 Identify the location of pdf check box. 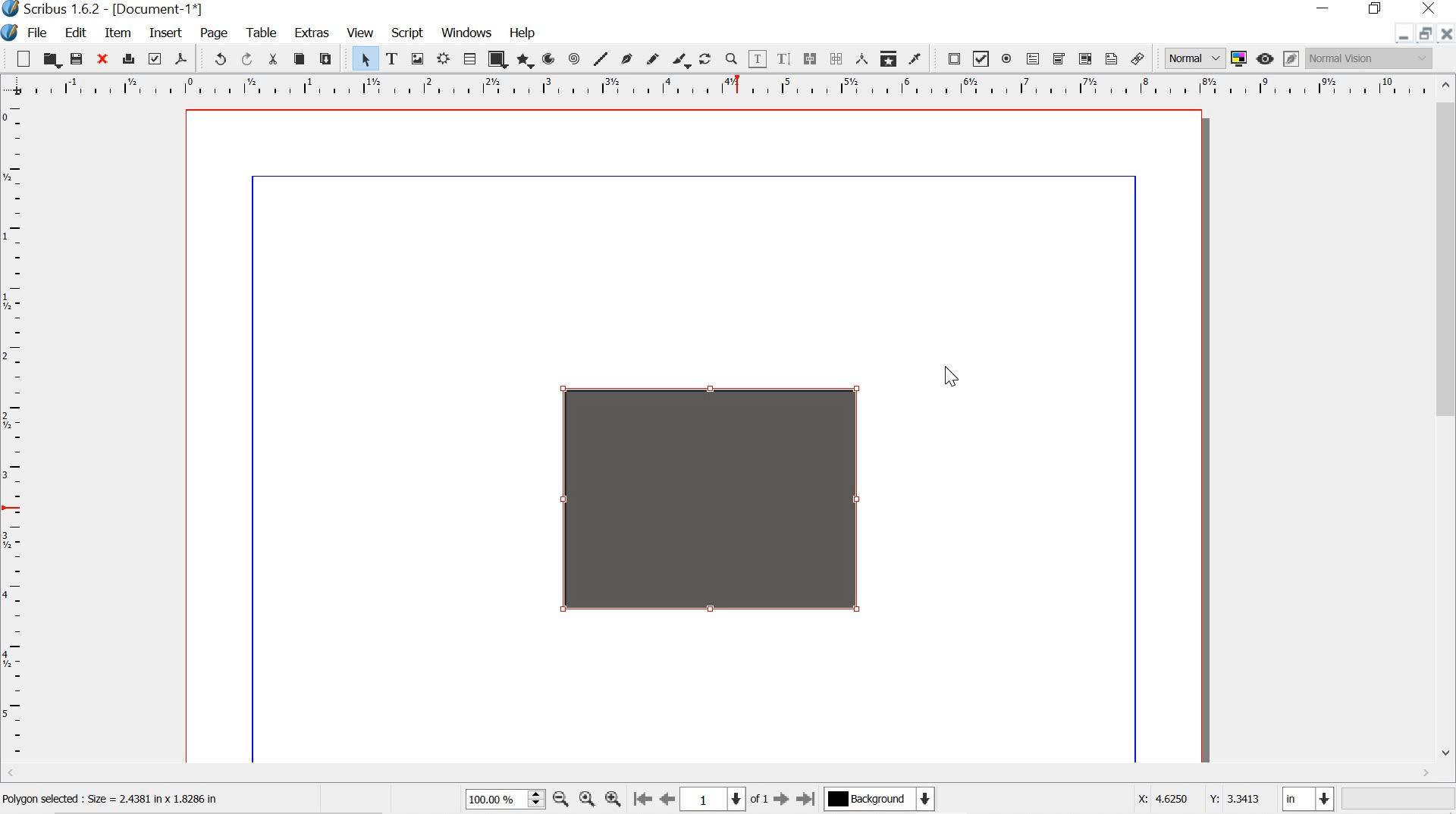
(982, 58).